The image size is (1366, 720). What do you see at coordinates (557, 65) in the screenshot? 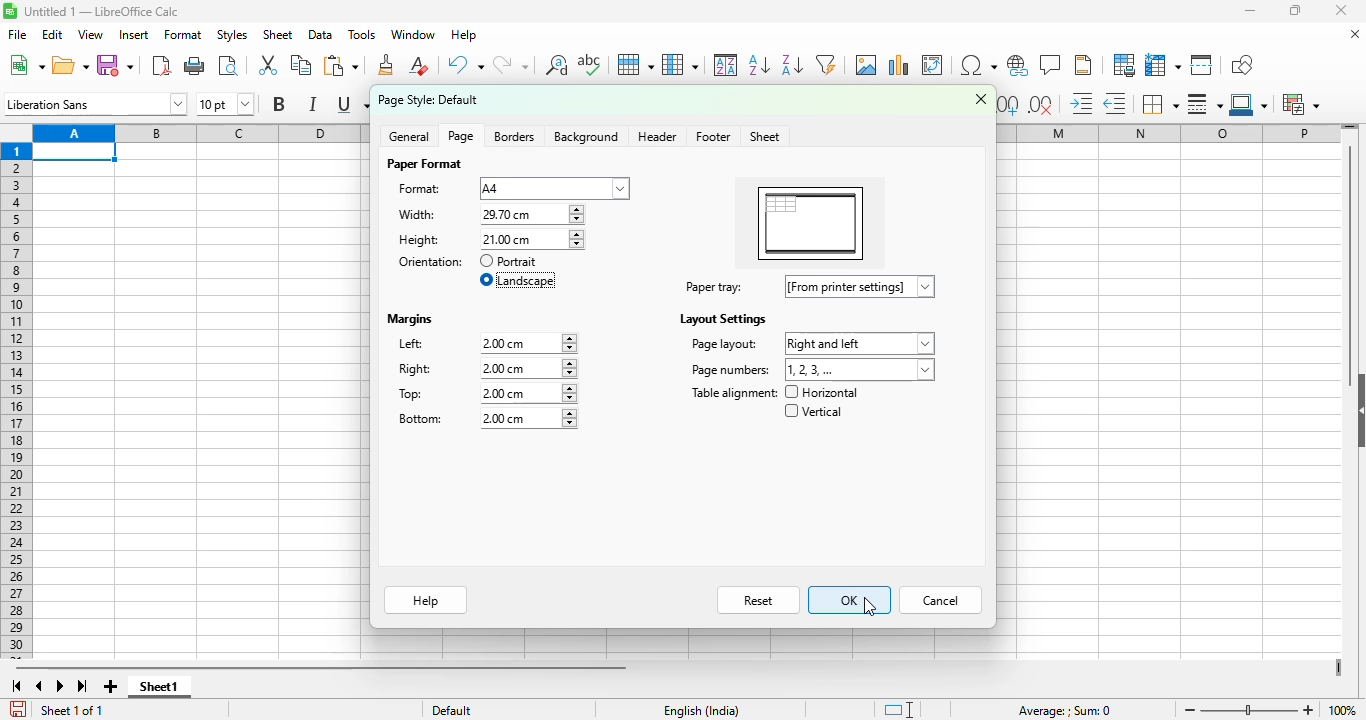
I see `find and replace ` at bounding box center [557, 65].